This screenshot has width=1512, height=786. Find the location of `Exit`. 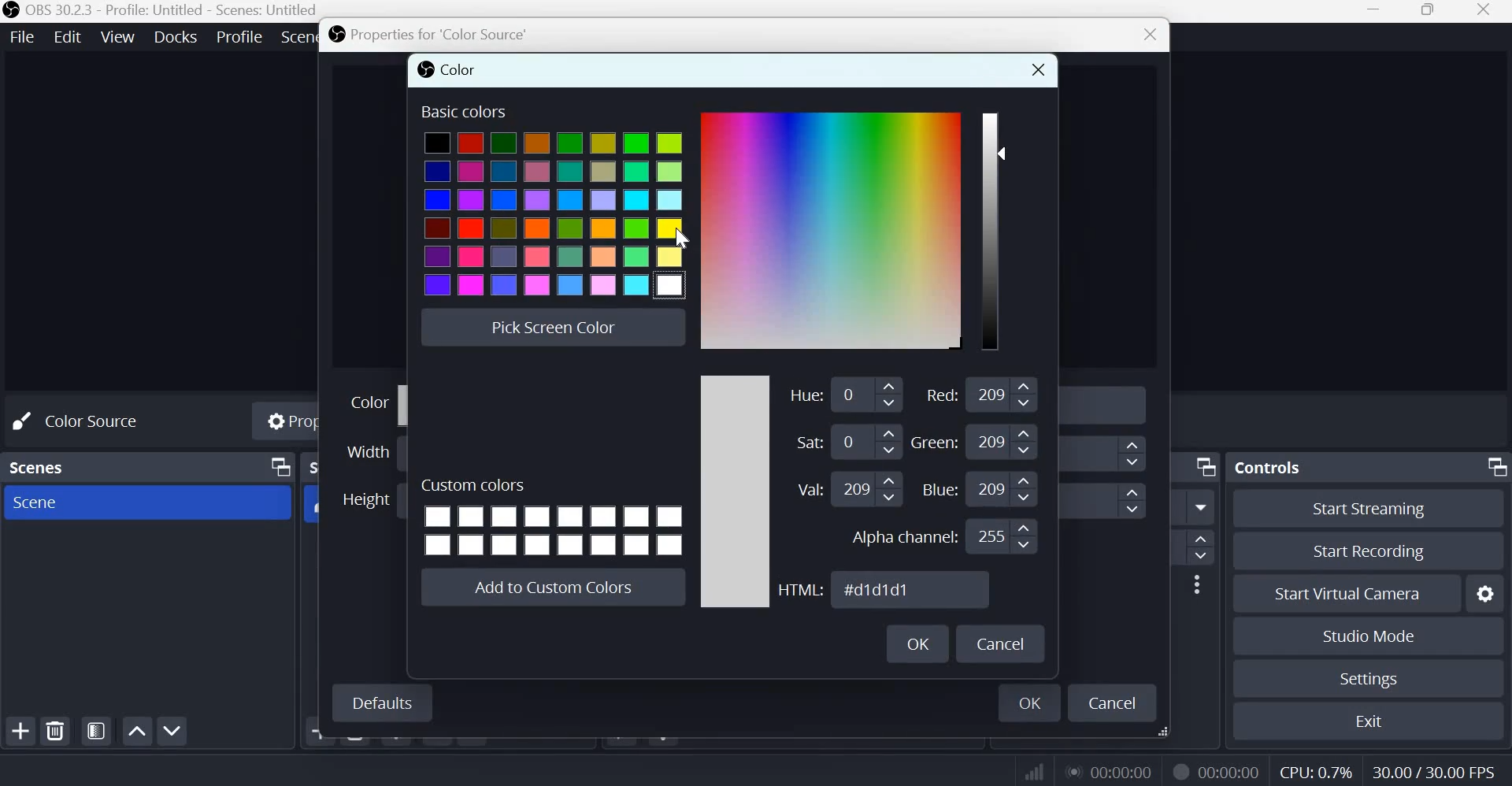

Exit is located at coordinates (1376, 721).